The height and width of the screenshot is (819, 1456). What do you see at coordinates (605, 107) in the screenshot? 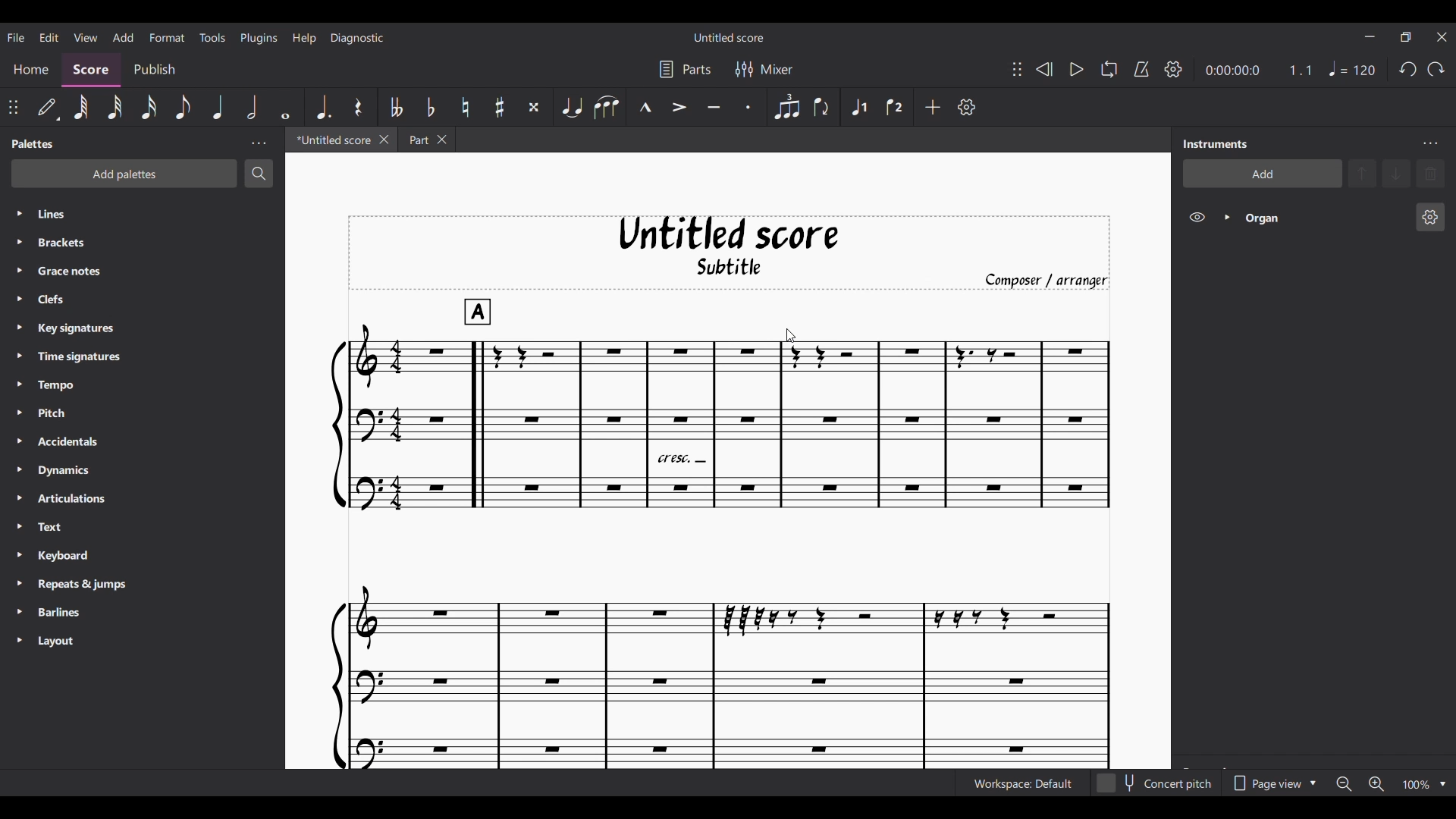
I see `Slur` at bounding box center [605, 107].